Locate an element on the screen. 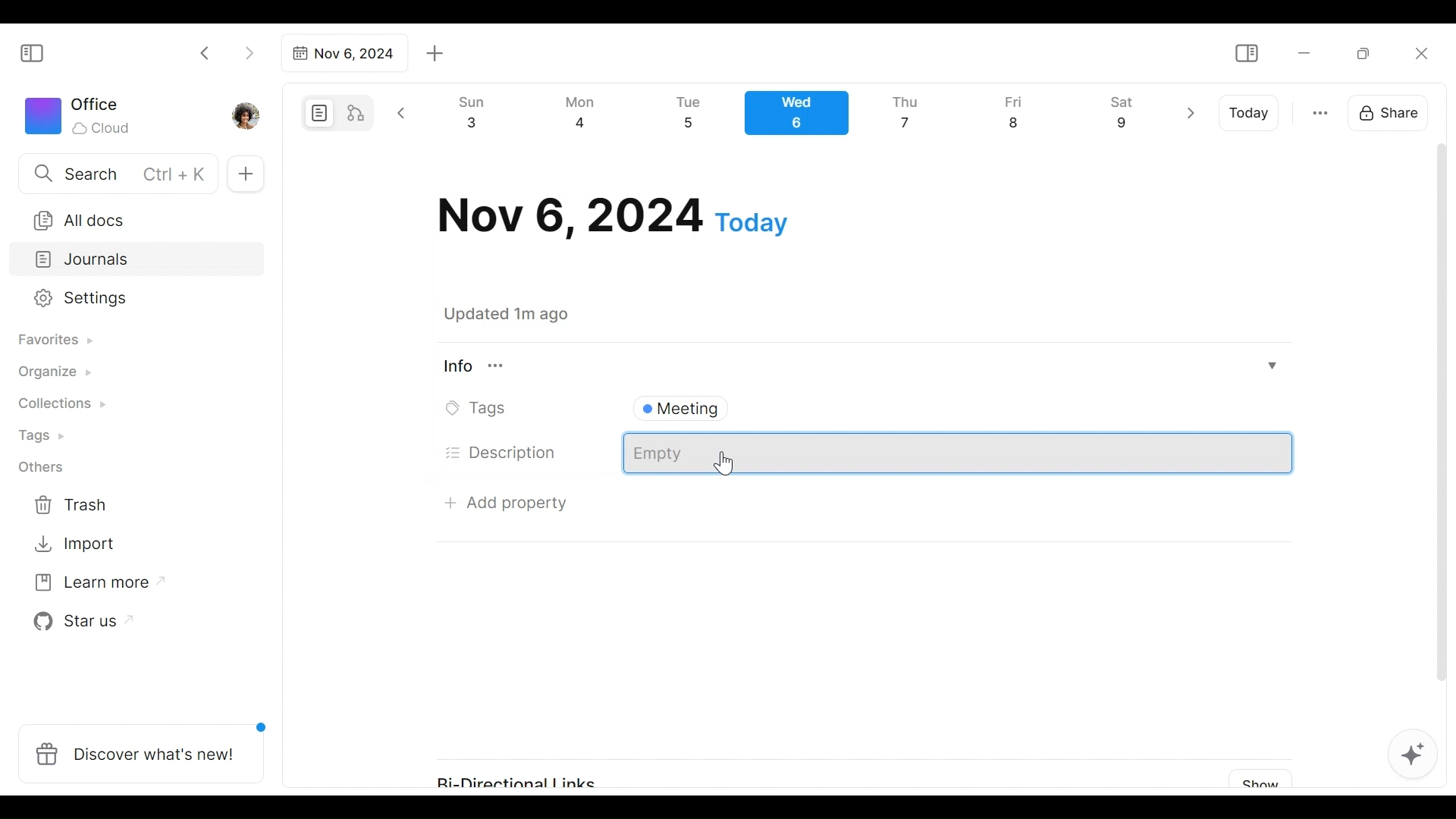 Image resolution: width=1456 pixels, height=819 pixels. Others is located at coordinates (42, 467).